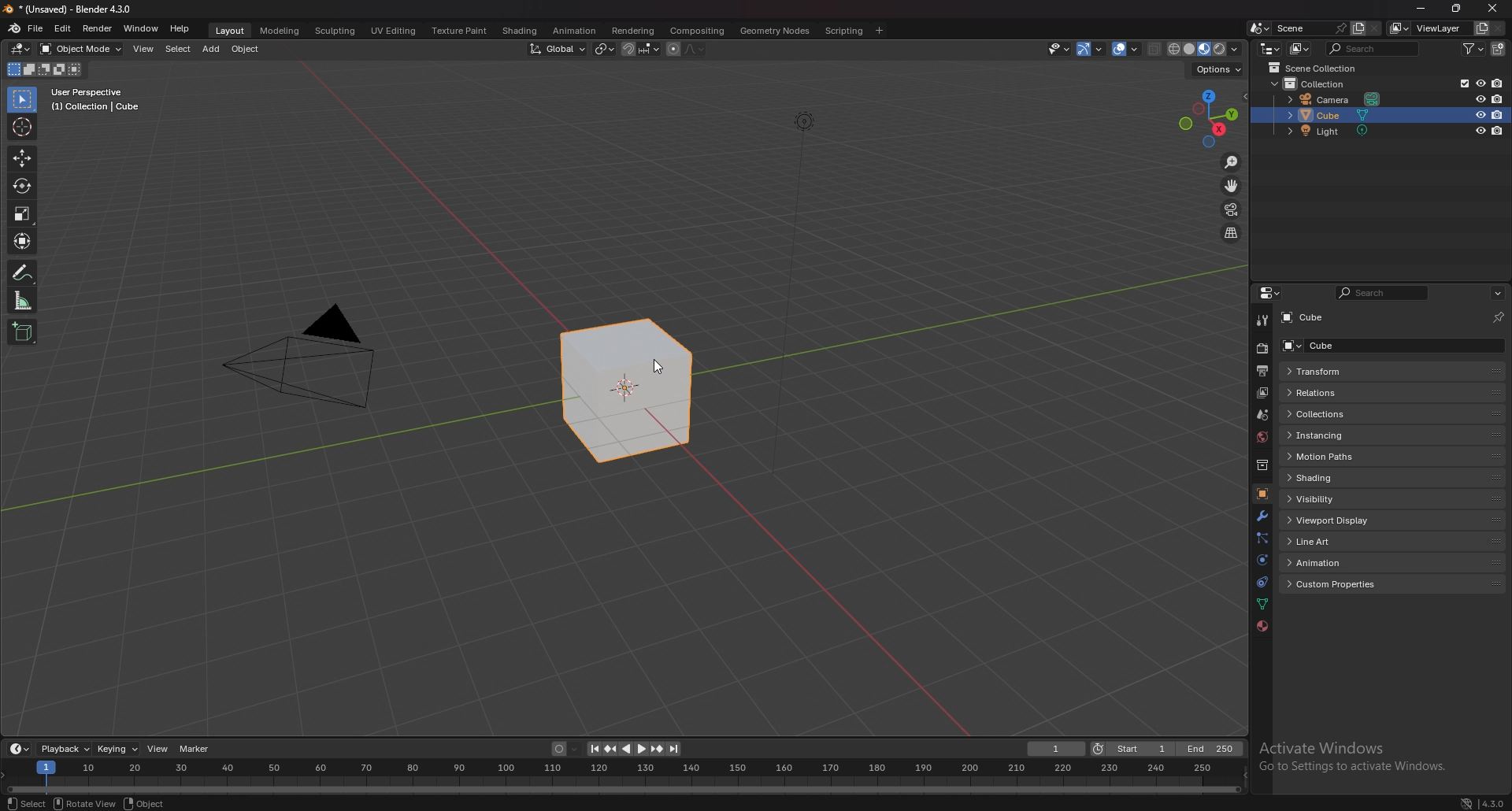 Image resolution: width=1512 pixels, height=811 pixels. I want to click on modifier, so click(1262, 515).